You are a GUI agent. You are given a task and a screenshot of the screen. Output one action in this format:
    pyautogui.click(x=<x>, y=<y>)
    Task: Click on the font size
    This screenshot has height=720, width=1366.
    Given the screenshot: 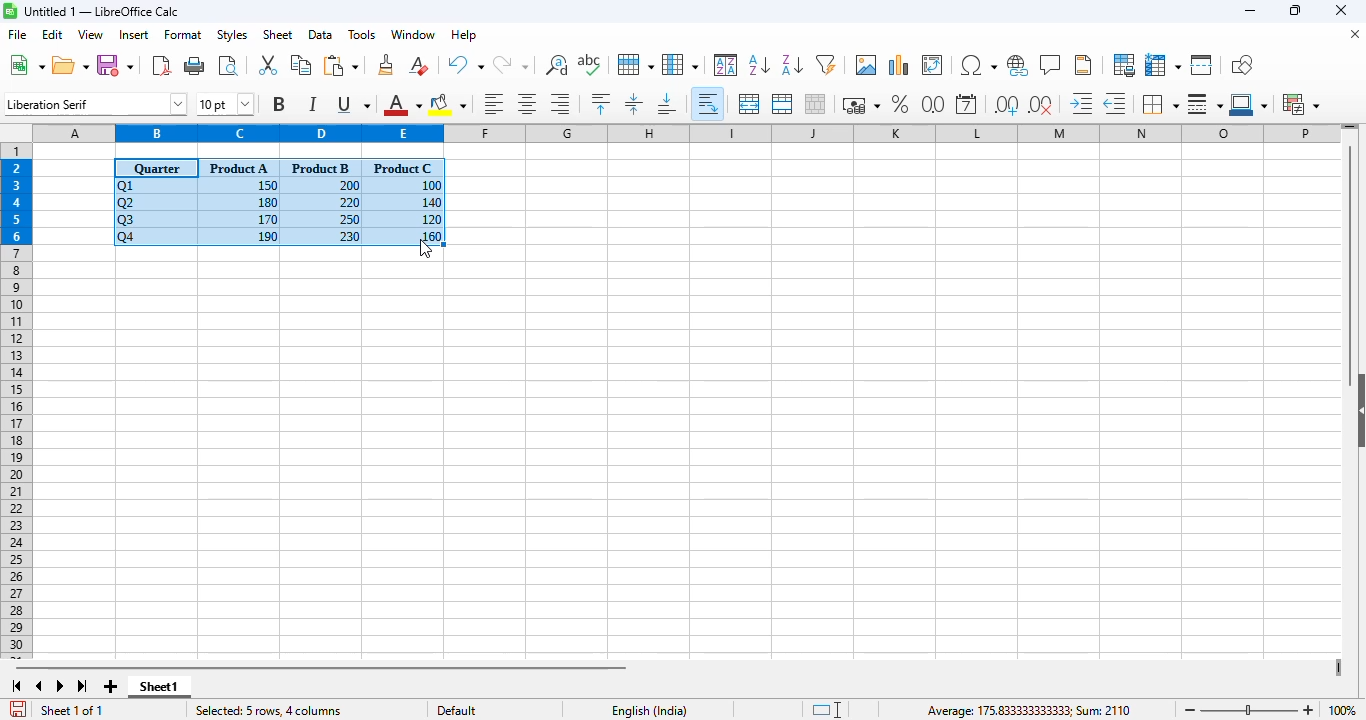 What is the action you would take?
    pyautogui.click(x=224, y=104)
    